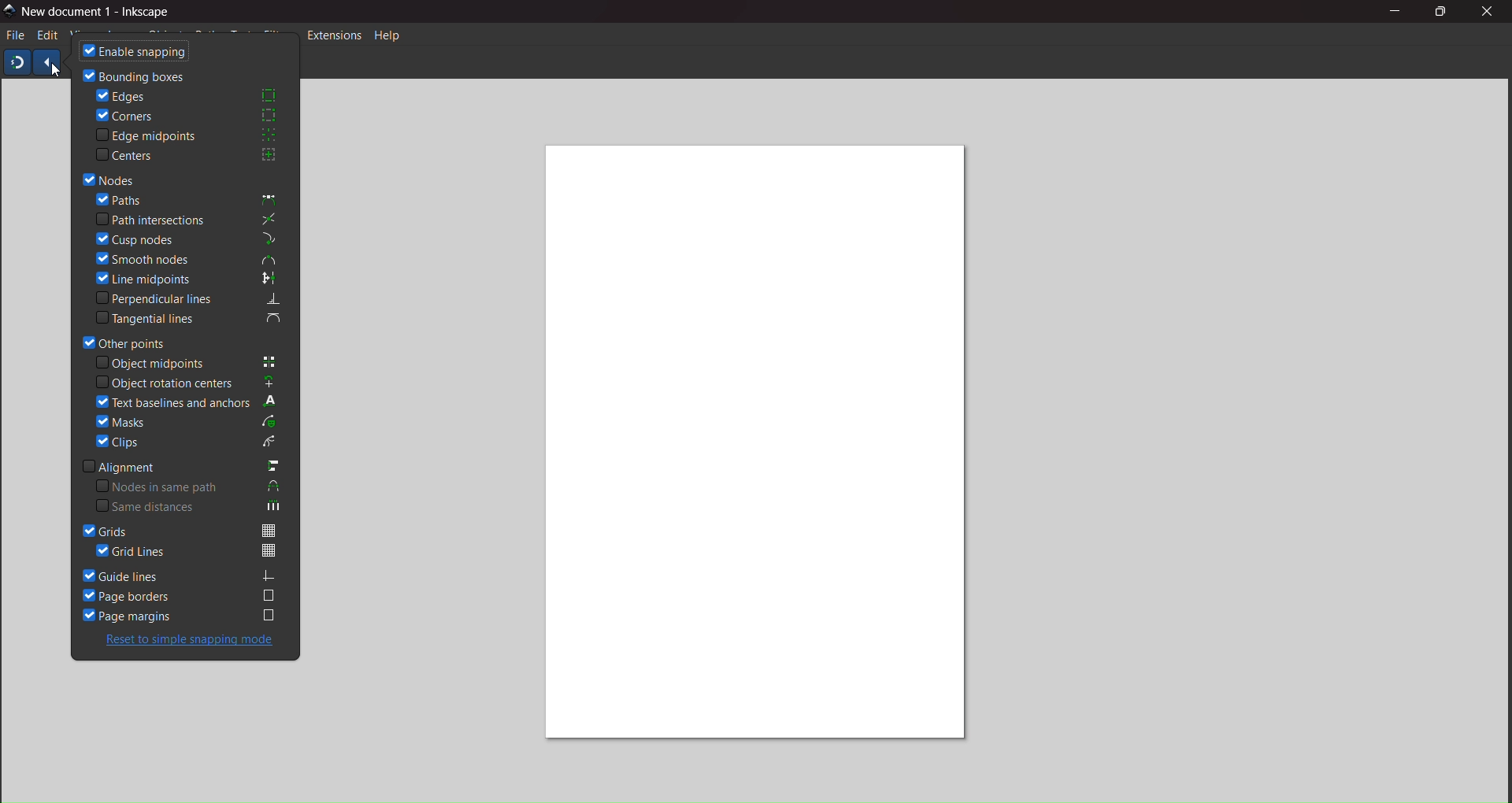 The height and width of the screenshot is (803, 1512). I want to click on other points, so click(128, 342).